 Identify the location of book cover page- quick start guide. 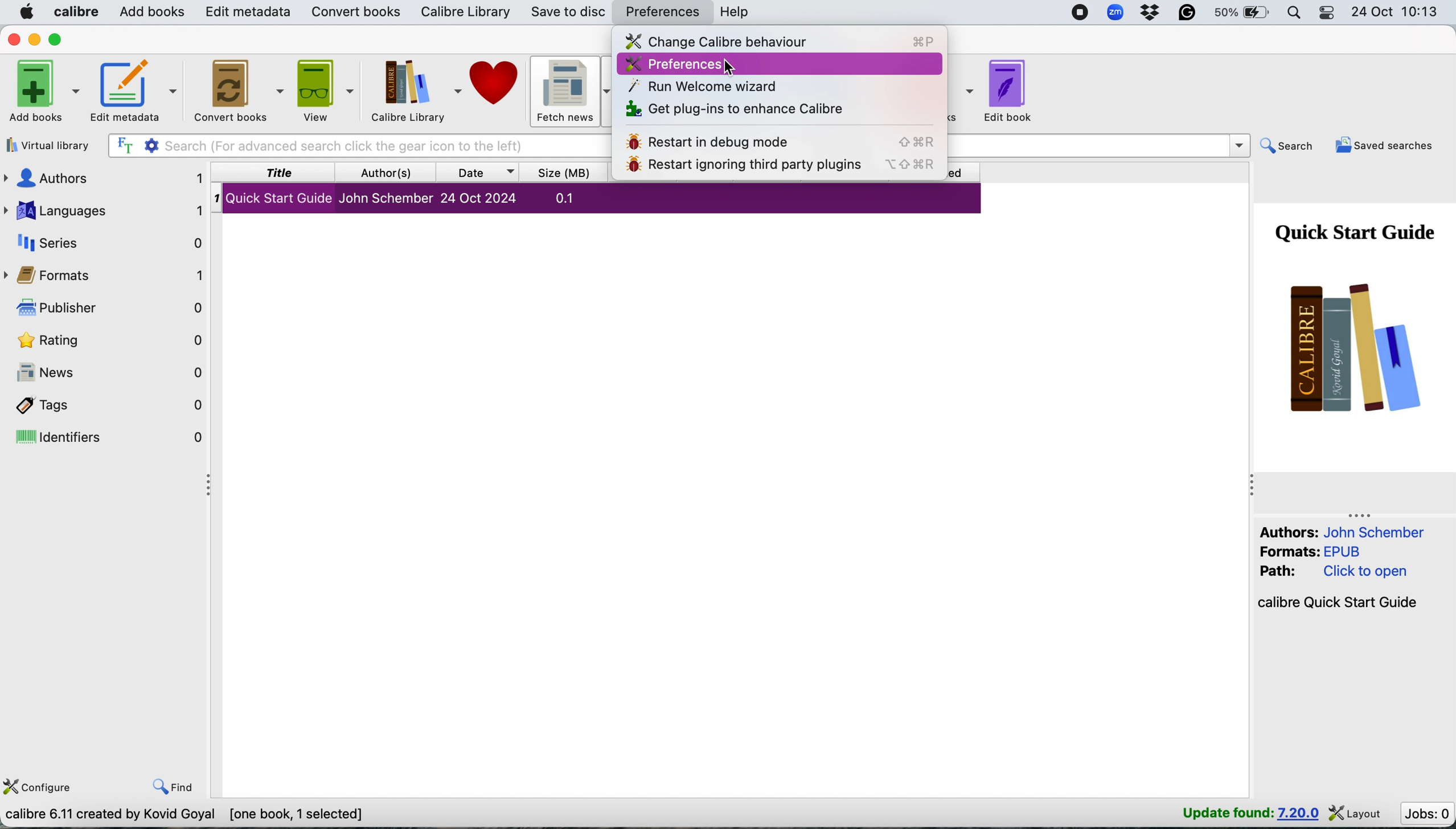
(1352, 322).